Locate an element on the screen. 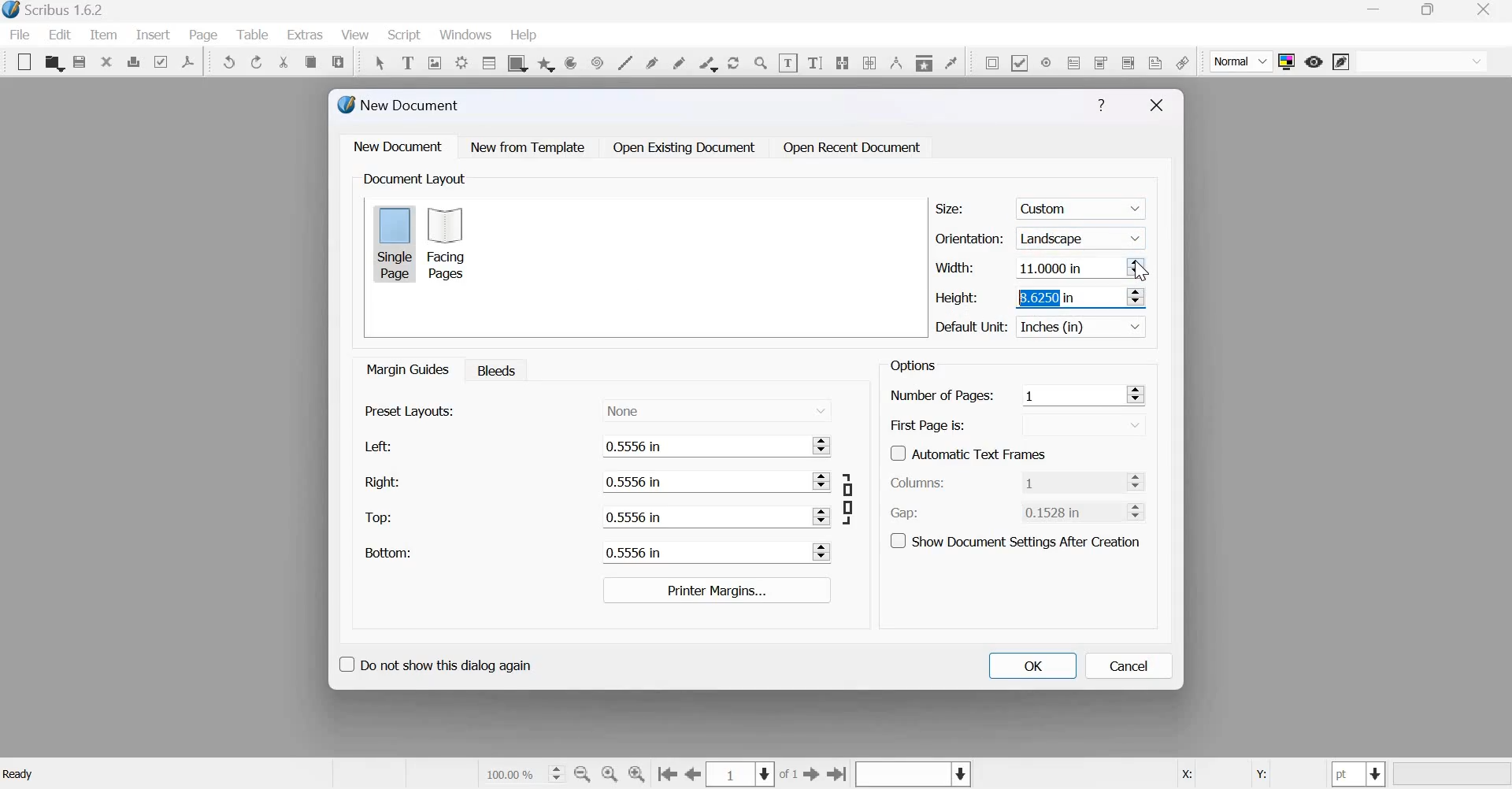  None is located at coordinates (717, 409).